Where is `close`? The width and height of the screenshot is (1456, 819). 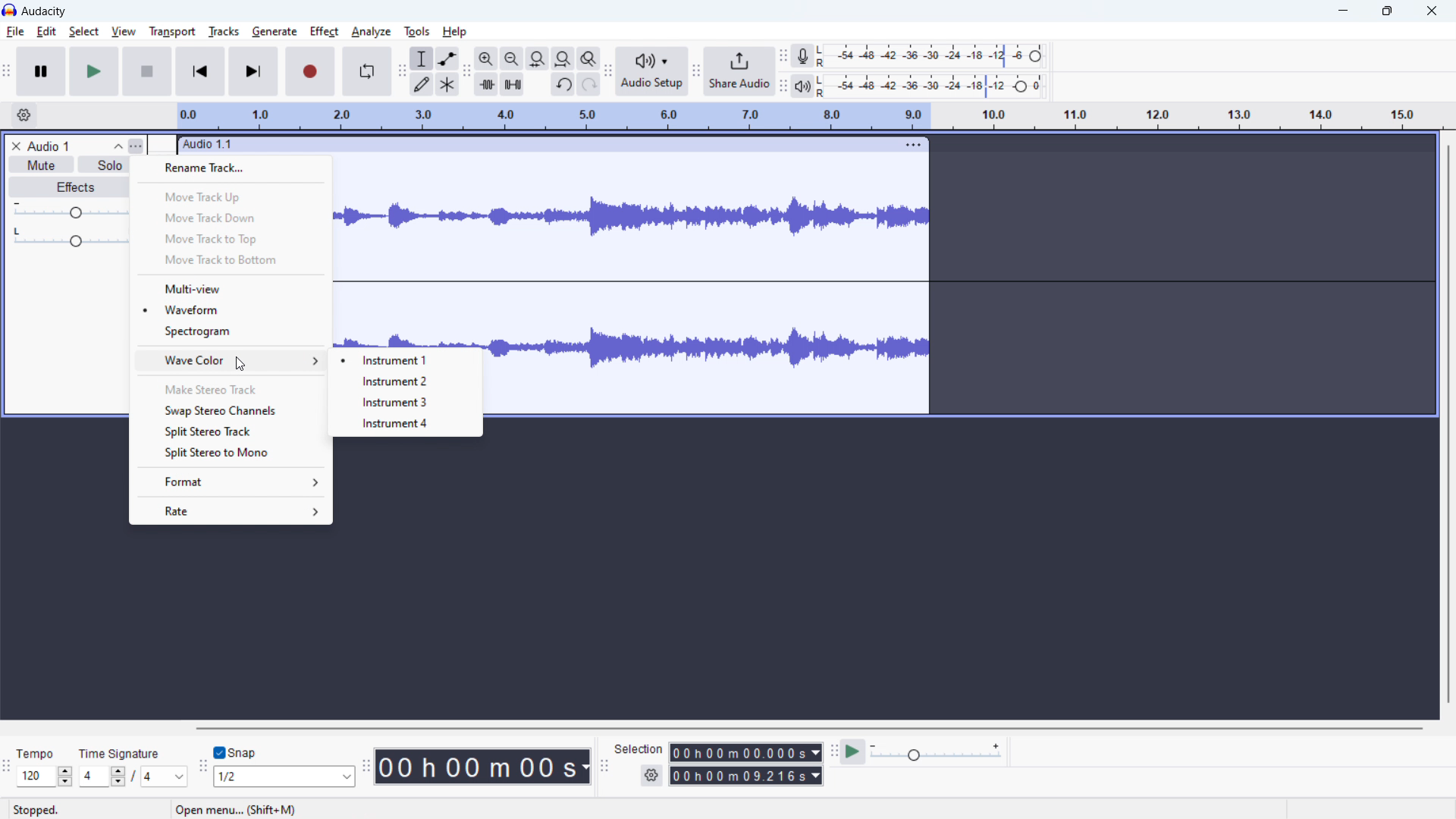
close is located at coordinates (1432, 12).